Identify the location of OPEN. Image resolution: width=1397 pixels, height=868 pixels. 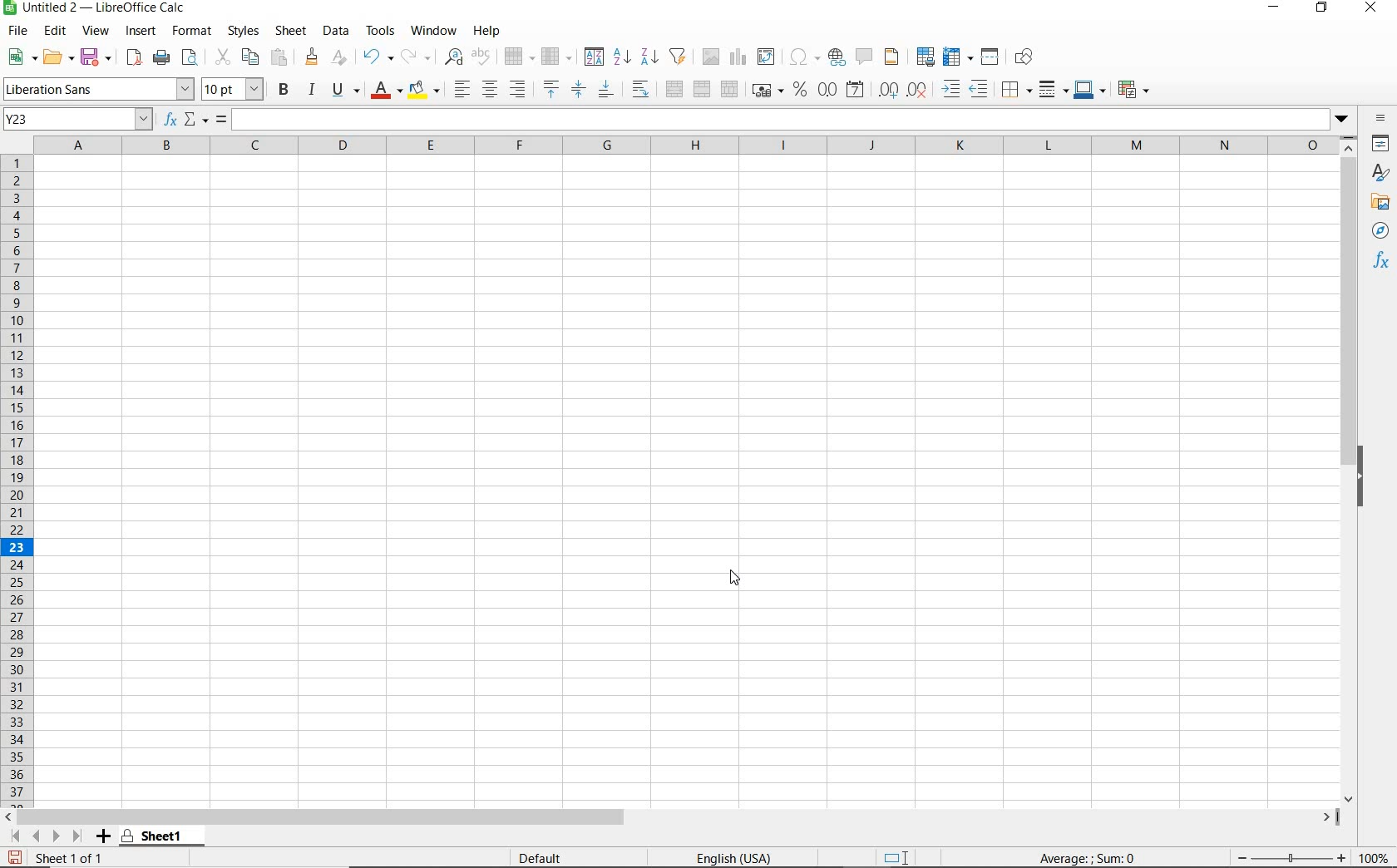
(56, 57).